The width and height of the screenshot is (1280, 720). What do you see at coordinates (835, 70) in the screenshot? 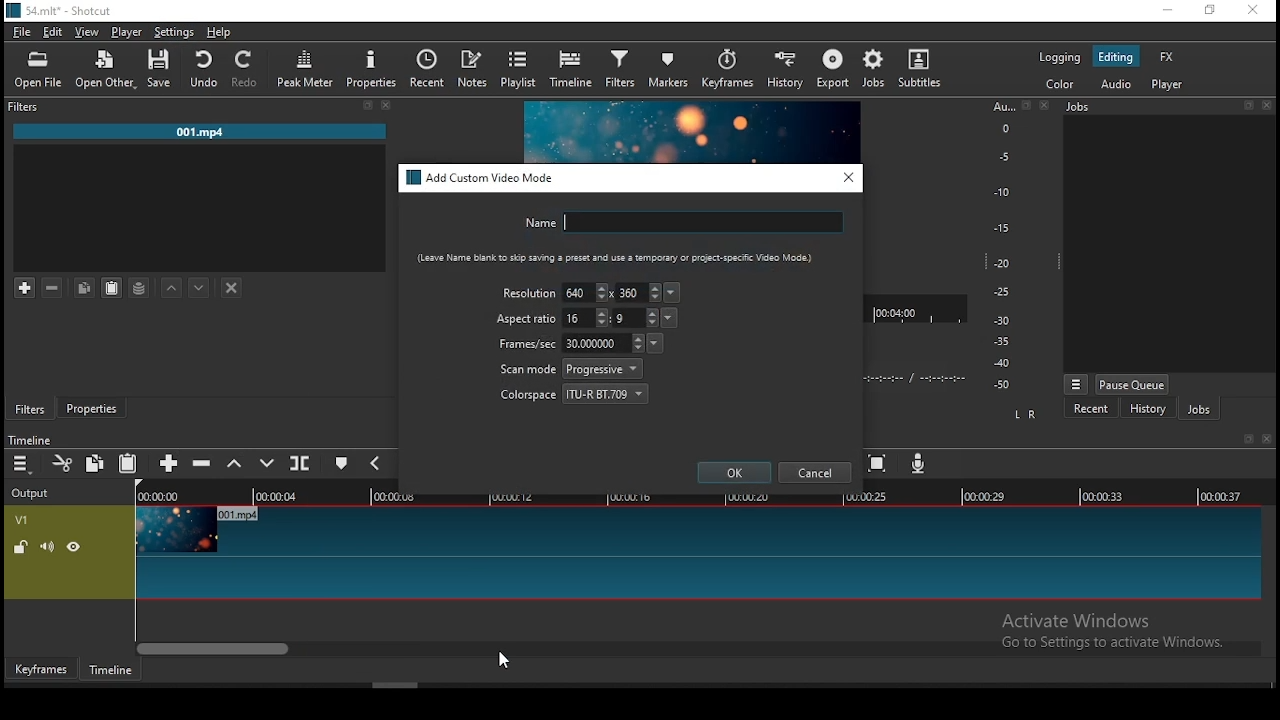
I see `export` at bounding box center [835, 70].